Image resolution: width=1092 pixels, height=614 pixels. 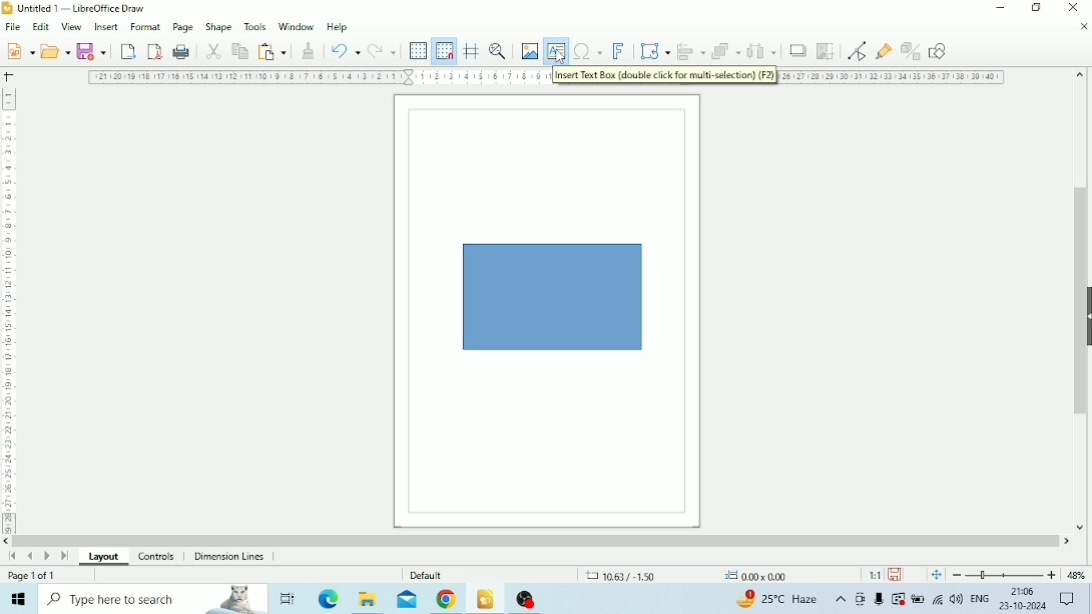 What do you see at coordinates (33, 576) in the screenshot?
I see `Page number` at bounding box center [33, 576].